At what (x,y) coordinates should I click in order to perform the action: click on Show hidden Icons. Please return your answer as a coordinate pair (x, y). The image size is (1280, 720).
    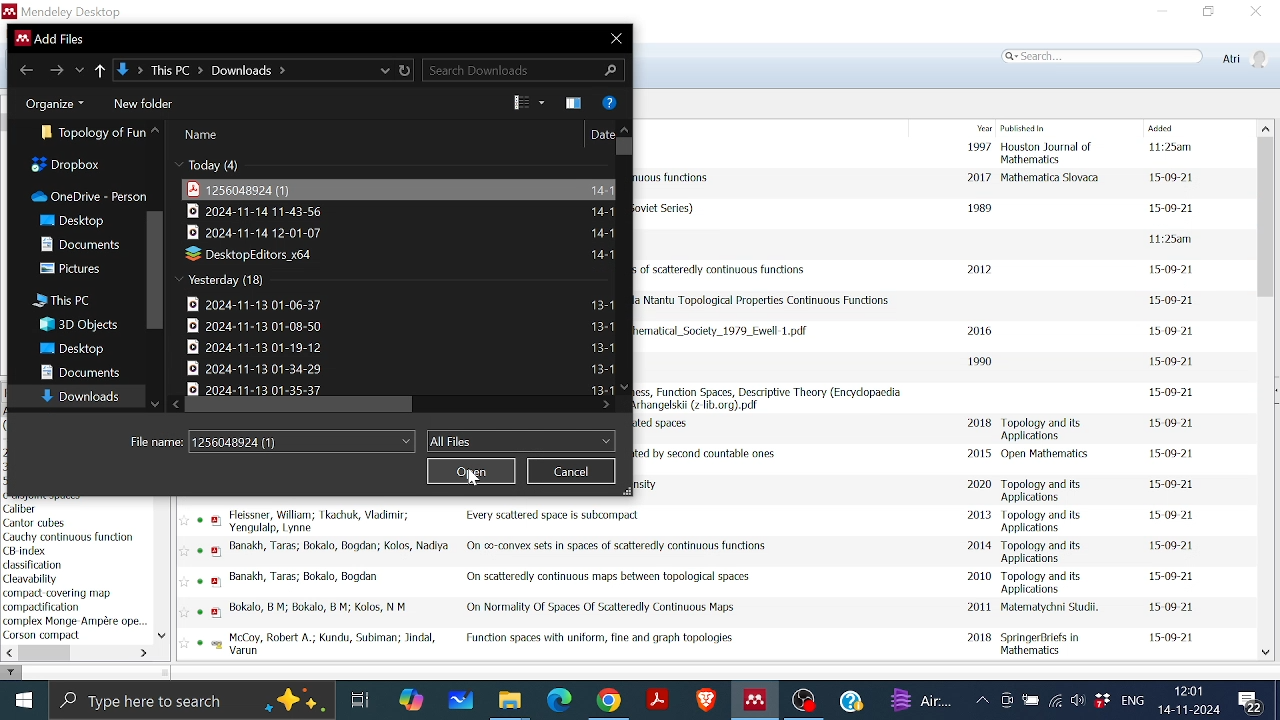
    Looking at the image, I should click on (984, 699).